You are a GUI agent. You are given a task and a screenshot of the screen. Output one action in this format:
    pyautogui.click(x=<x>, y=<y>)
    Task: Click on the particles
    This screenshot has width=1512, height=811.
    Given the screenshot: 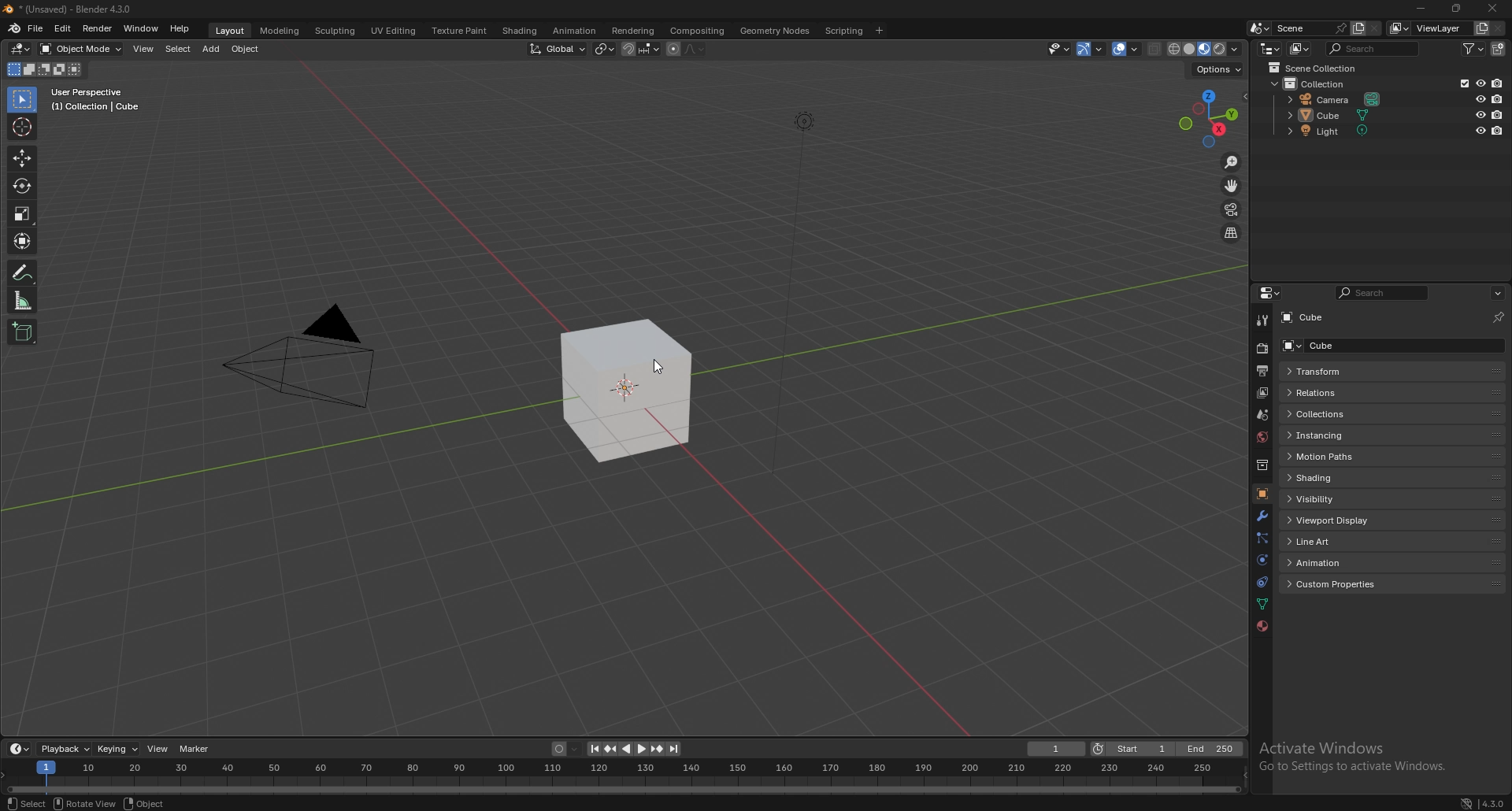 What is the action you would take?
    pyautogui.click(x=1259, y=537)
    